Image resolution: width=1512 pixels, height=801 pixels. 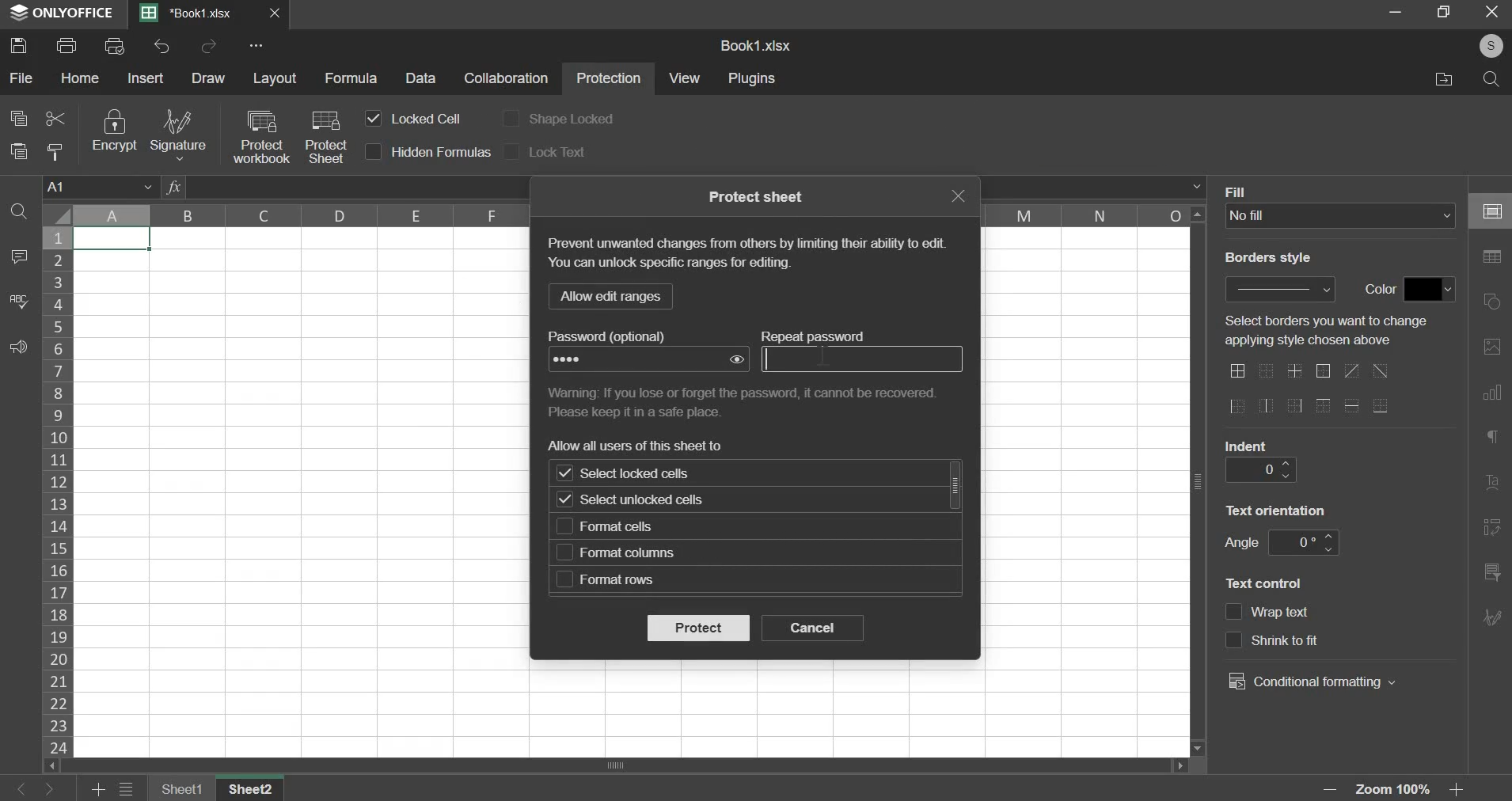 What do you see at coordinates (1234, 613) in the screenshot?
I see `checkbox` at bounding box center [1234, 613].